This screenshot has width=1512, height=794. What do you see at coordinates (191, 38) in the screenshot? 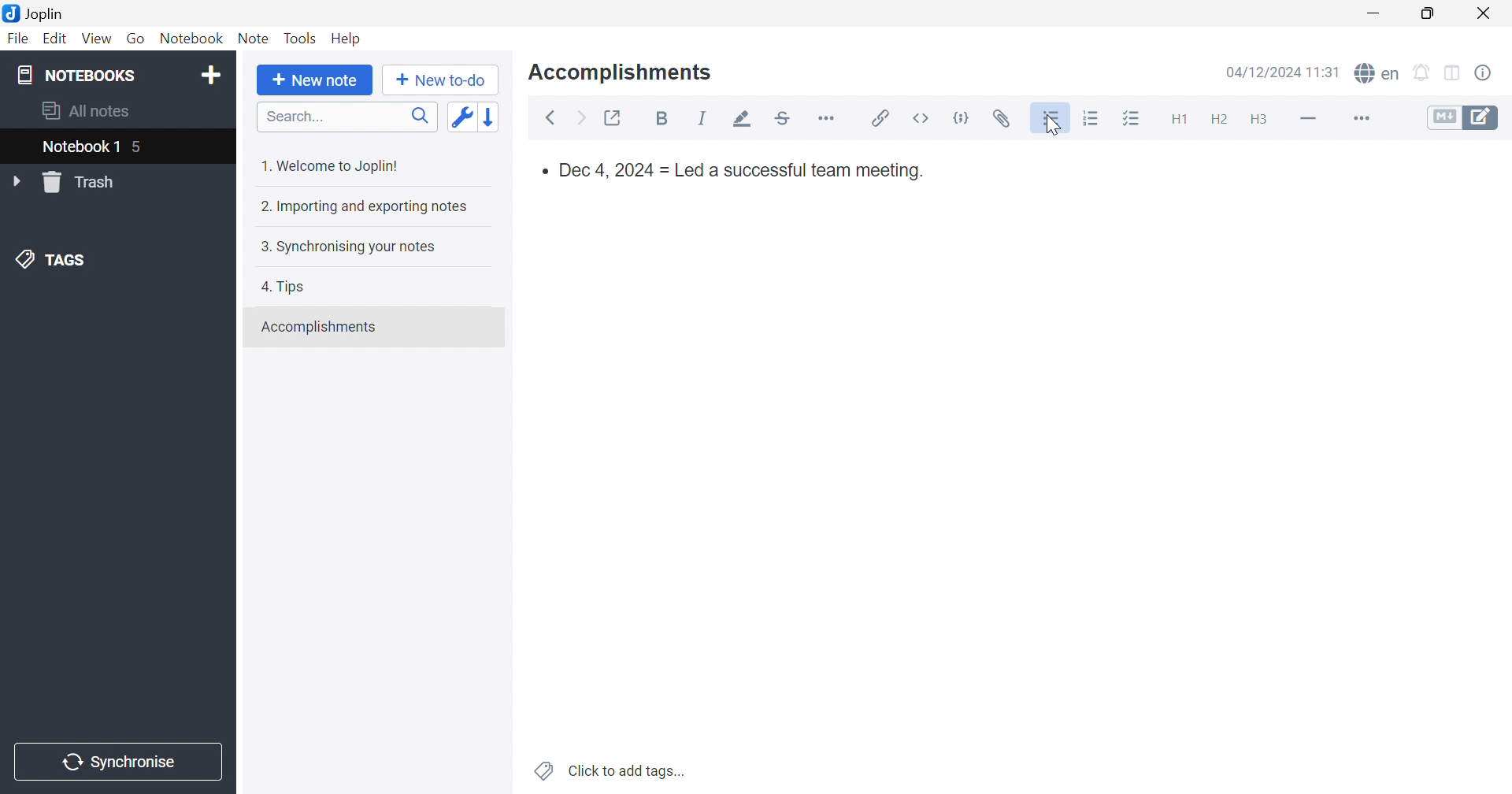
I see `Notebook` at bounding box center [191, 38].